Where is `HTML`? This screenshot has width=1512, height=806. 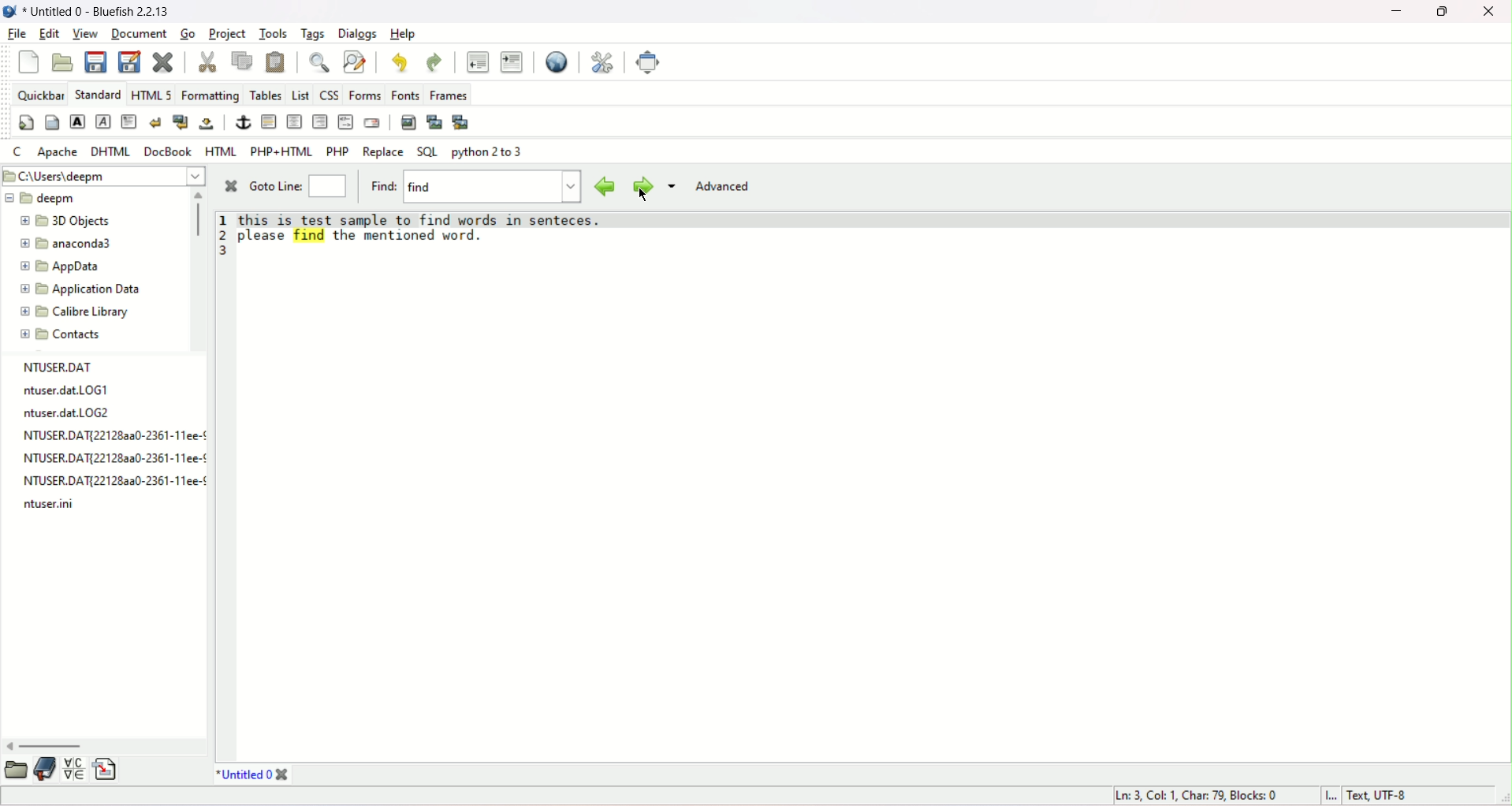 HTML is located at coordinates (220, 151).